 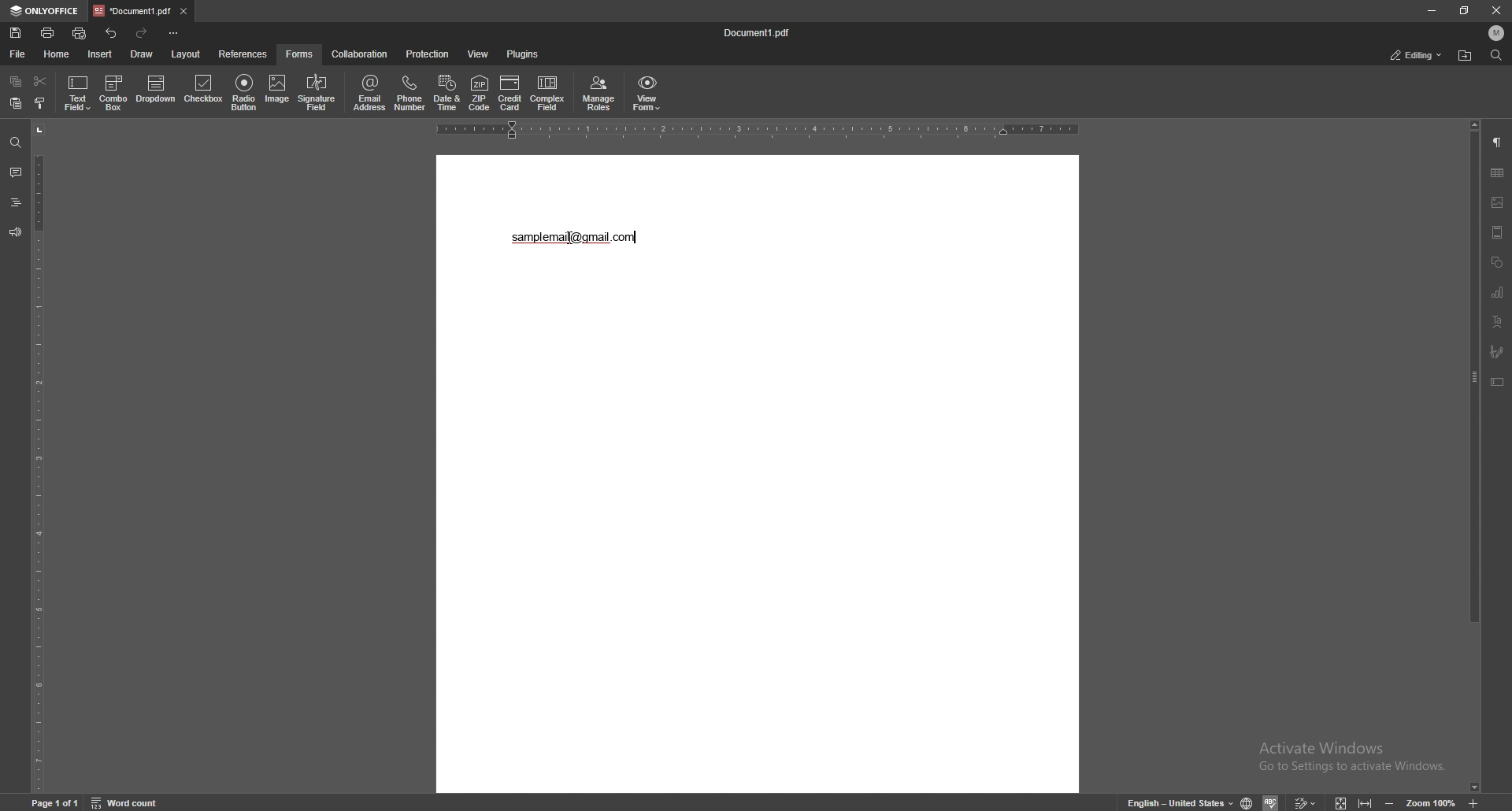 What do you see at coordinates (1498, 202) in the screenshot?
I see `image` at bounding box center [1498, 202].